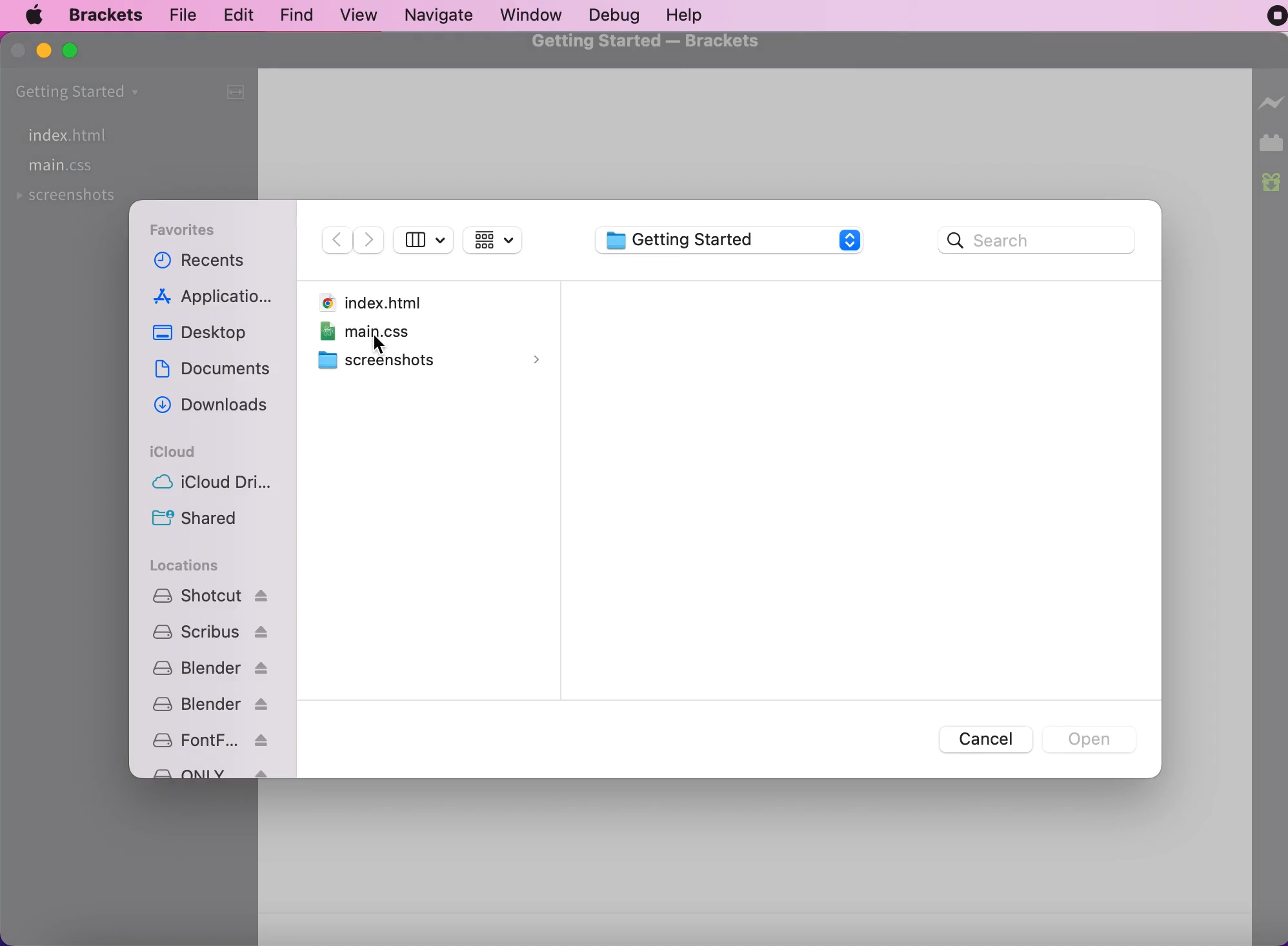 This screenshot has width=1288, height=946. What do you see at coordinates (215, 296) in the screenshot?
I see `applications` at bounding box center [215, 296].